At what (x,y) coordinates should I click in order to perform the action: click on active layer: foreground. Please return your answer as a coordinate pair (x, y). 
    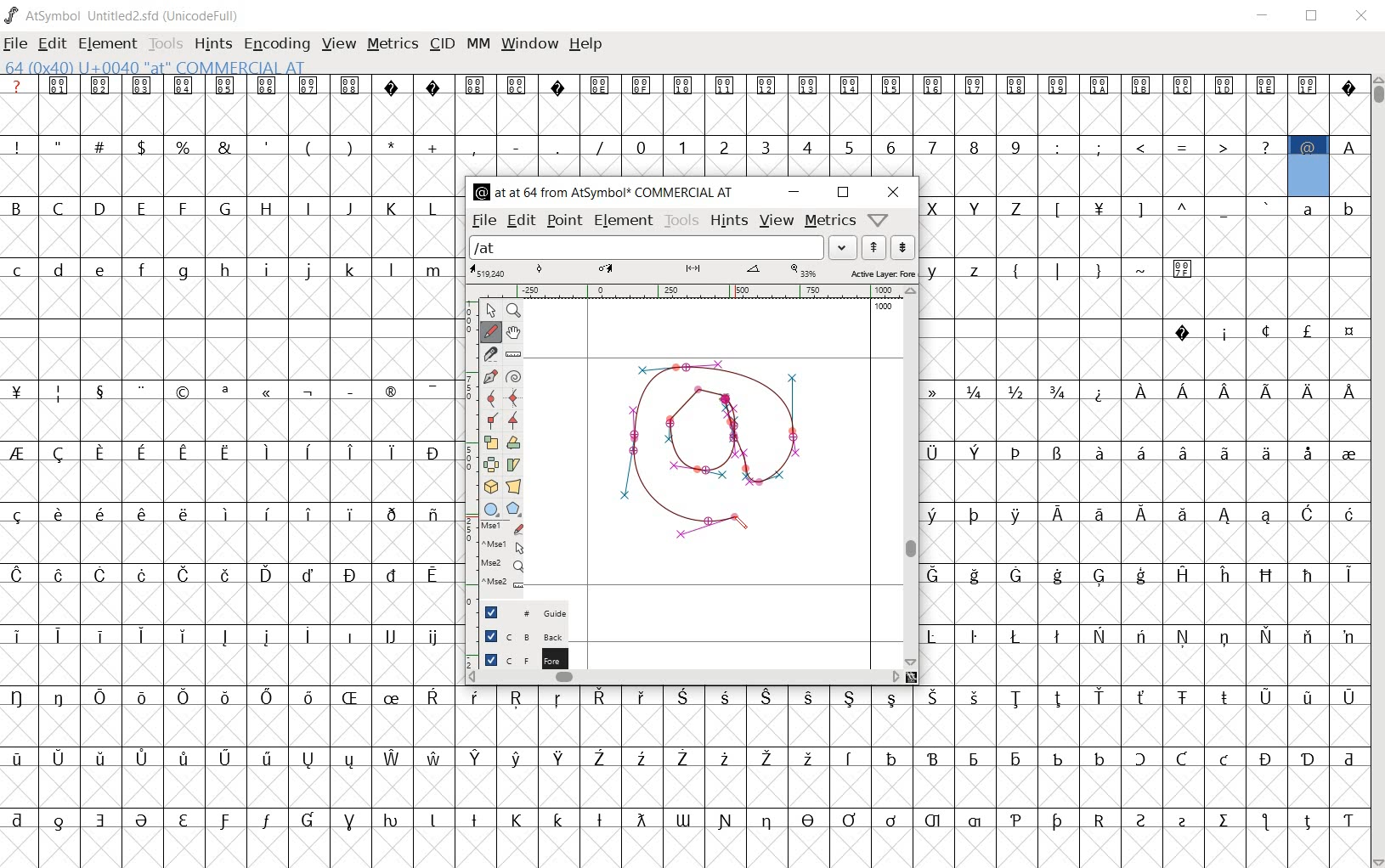
    Looking at the image, I should click on (692, 272).